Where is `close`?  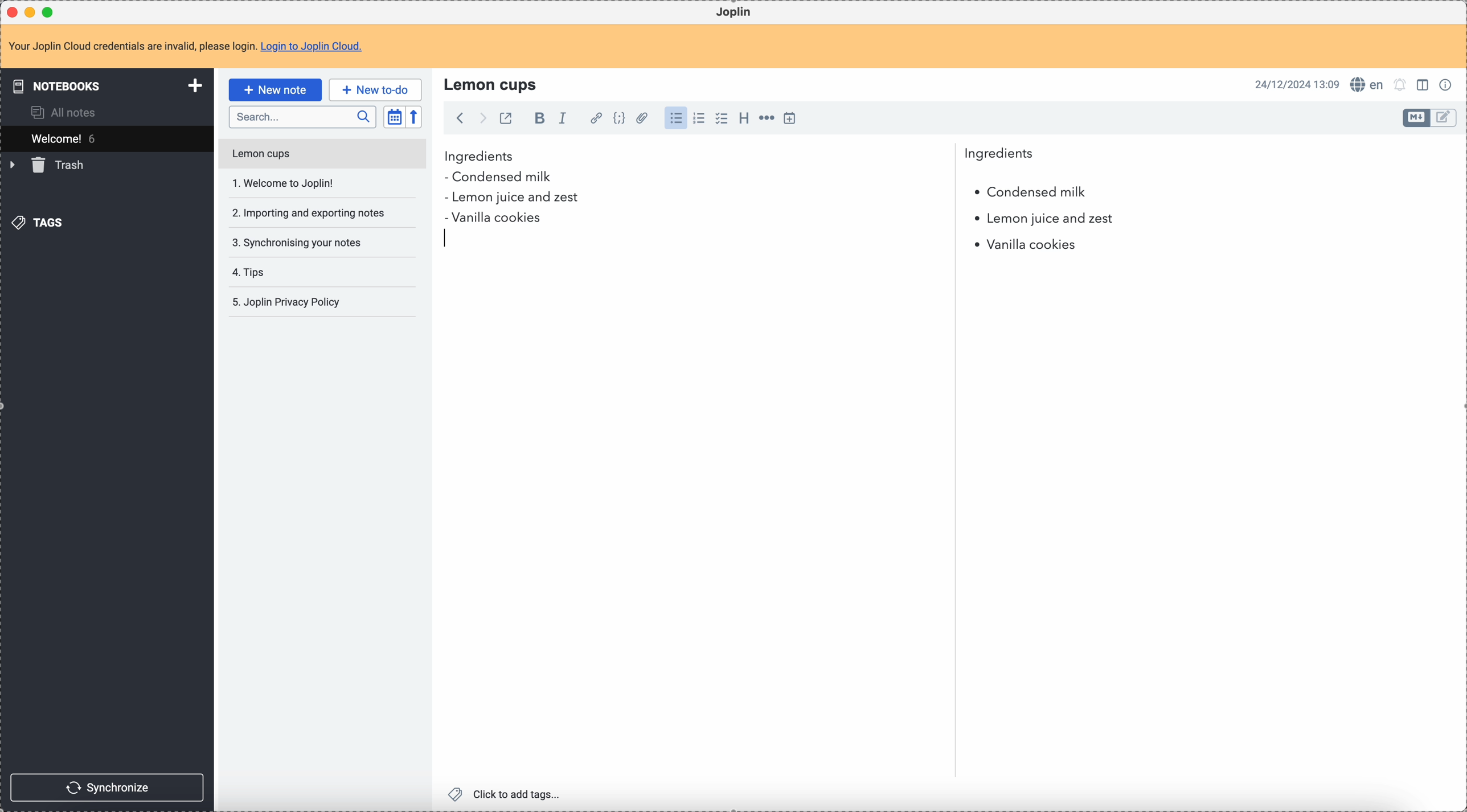 close is located at coordinates (14, 13).